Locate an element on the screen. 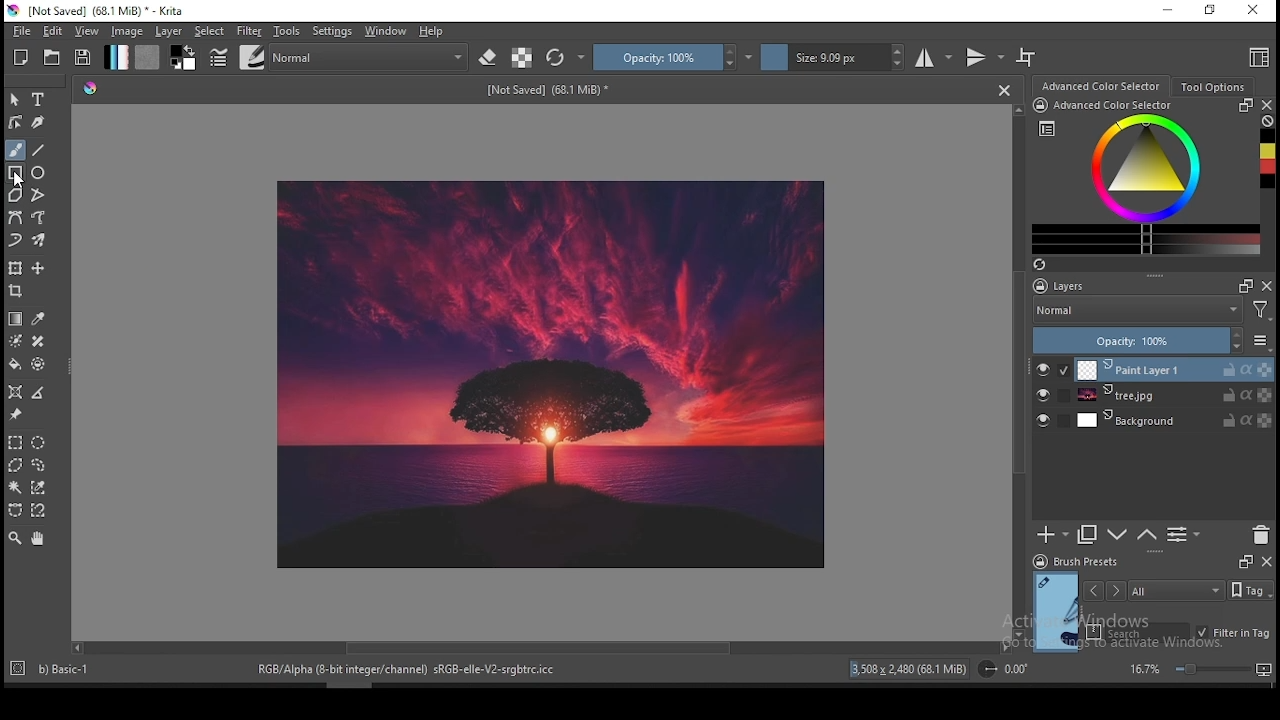  dynamic brush tool is located at coordinates (16, 239).